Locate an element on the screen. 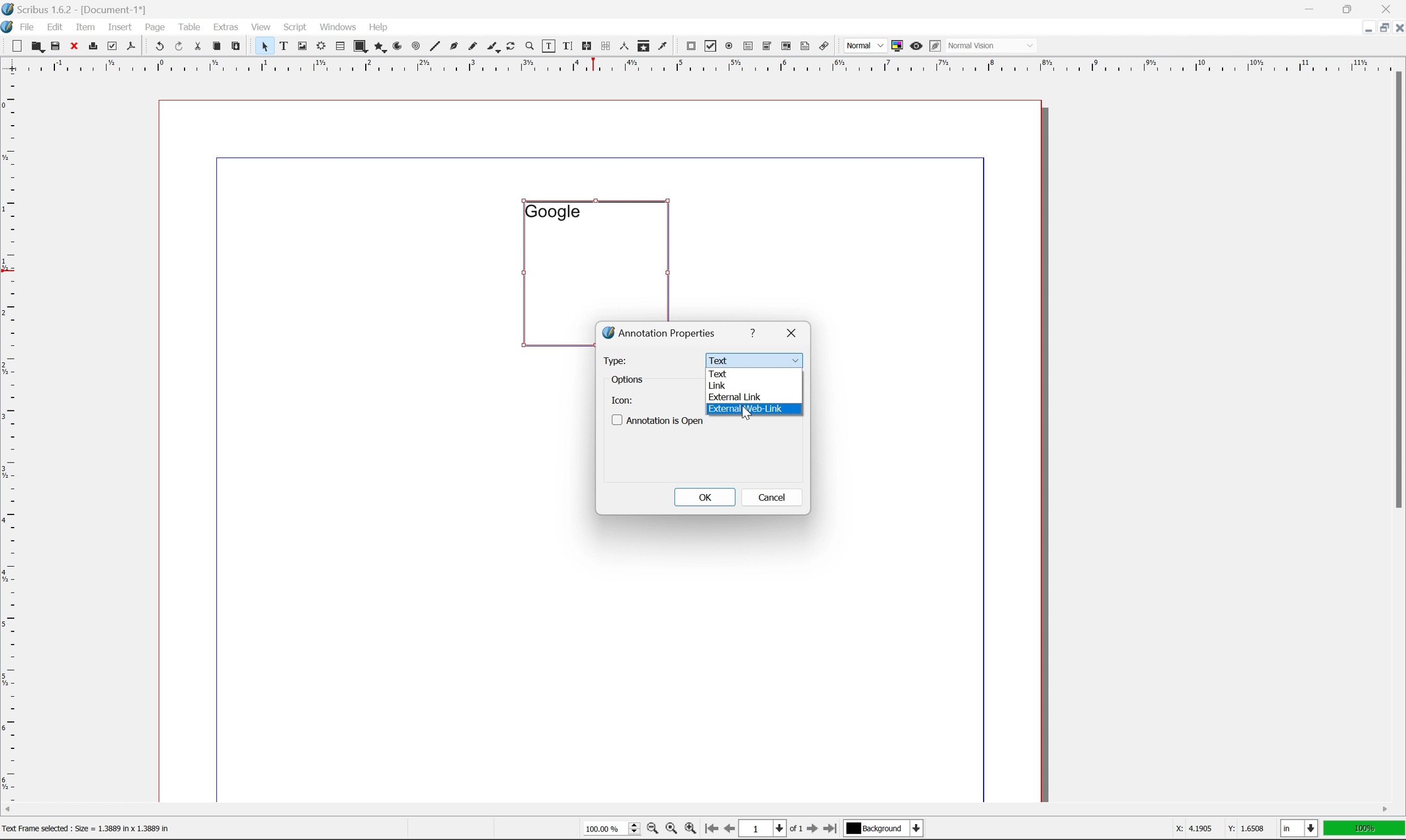  rotate item is located at coordinates (511, 47).